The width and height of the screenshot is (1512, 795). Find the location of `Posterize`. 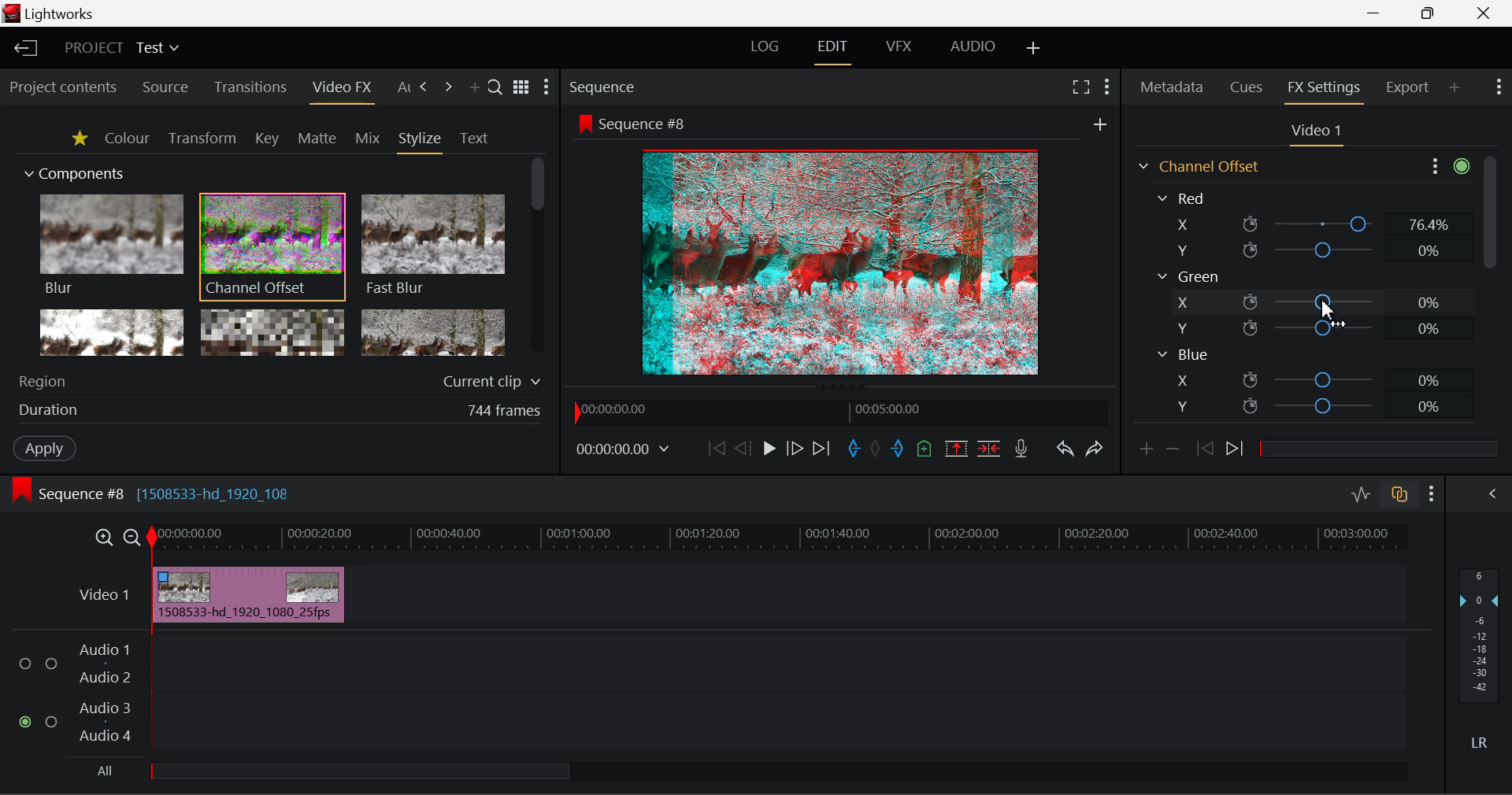

Posterize is located at coordinates (433, 331).